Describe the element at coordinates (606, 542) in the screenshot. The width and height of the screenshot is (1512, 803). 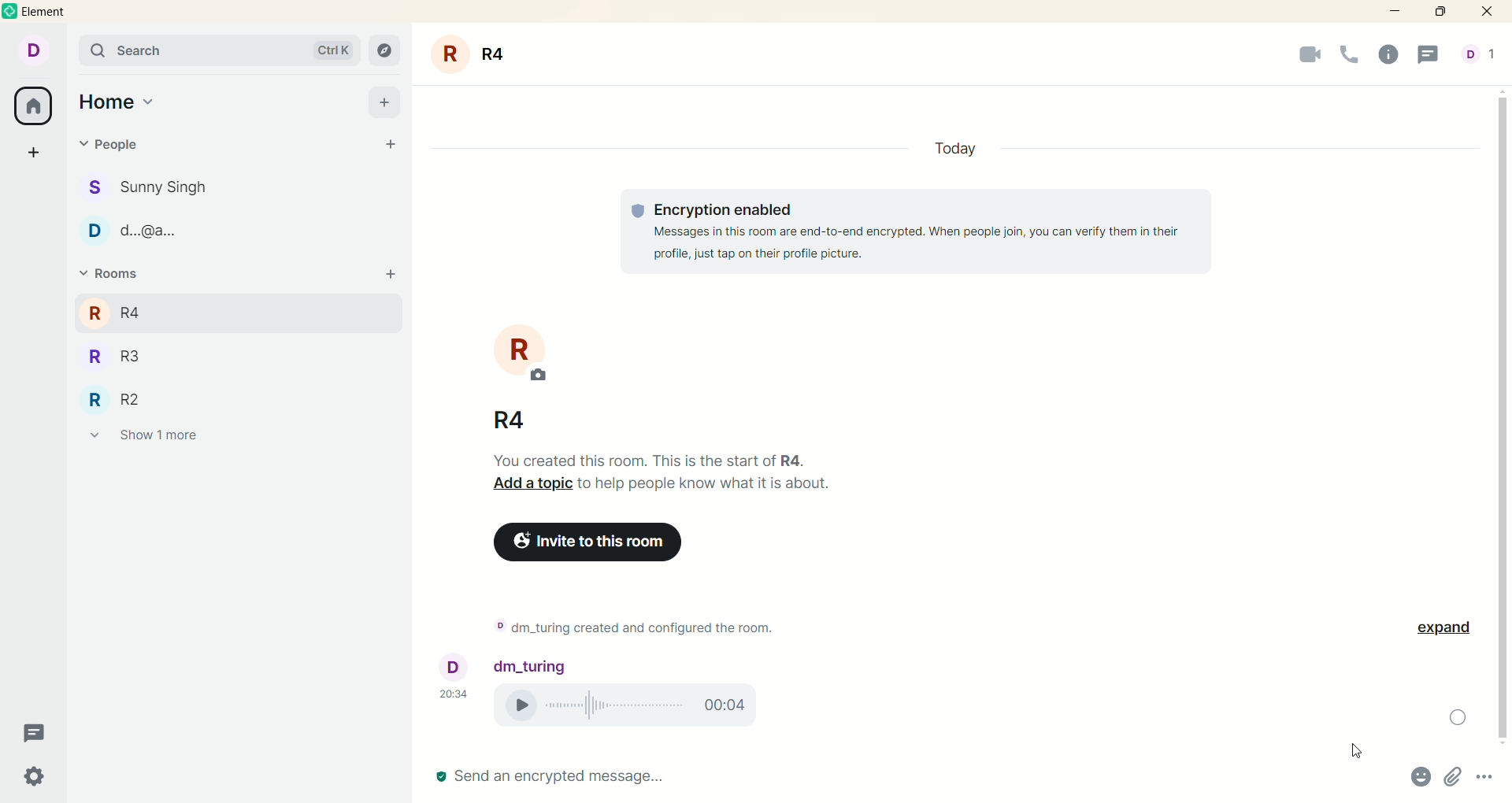
I see `invite to this room` at that location.